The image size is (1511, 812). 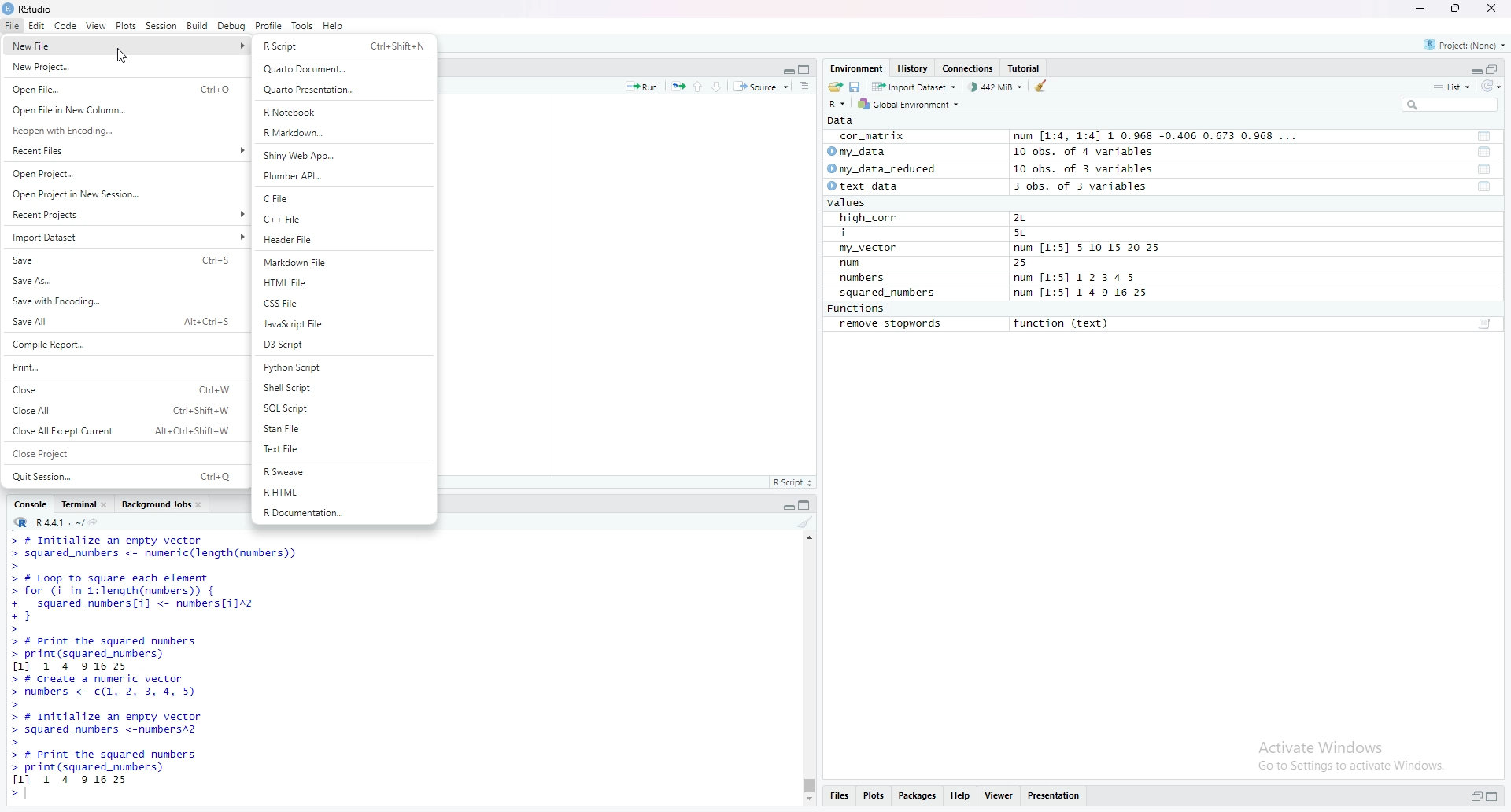 What do you see at coordinates (125, 25) in the screenshot?
I see `Plots` at bounding box center [125, 25].